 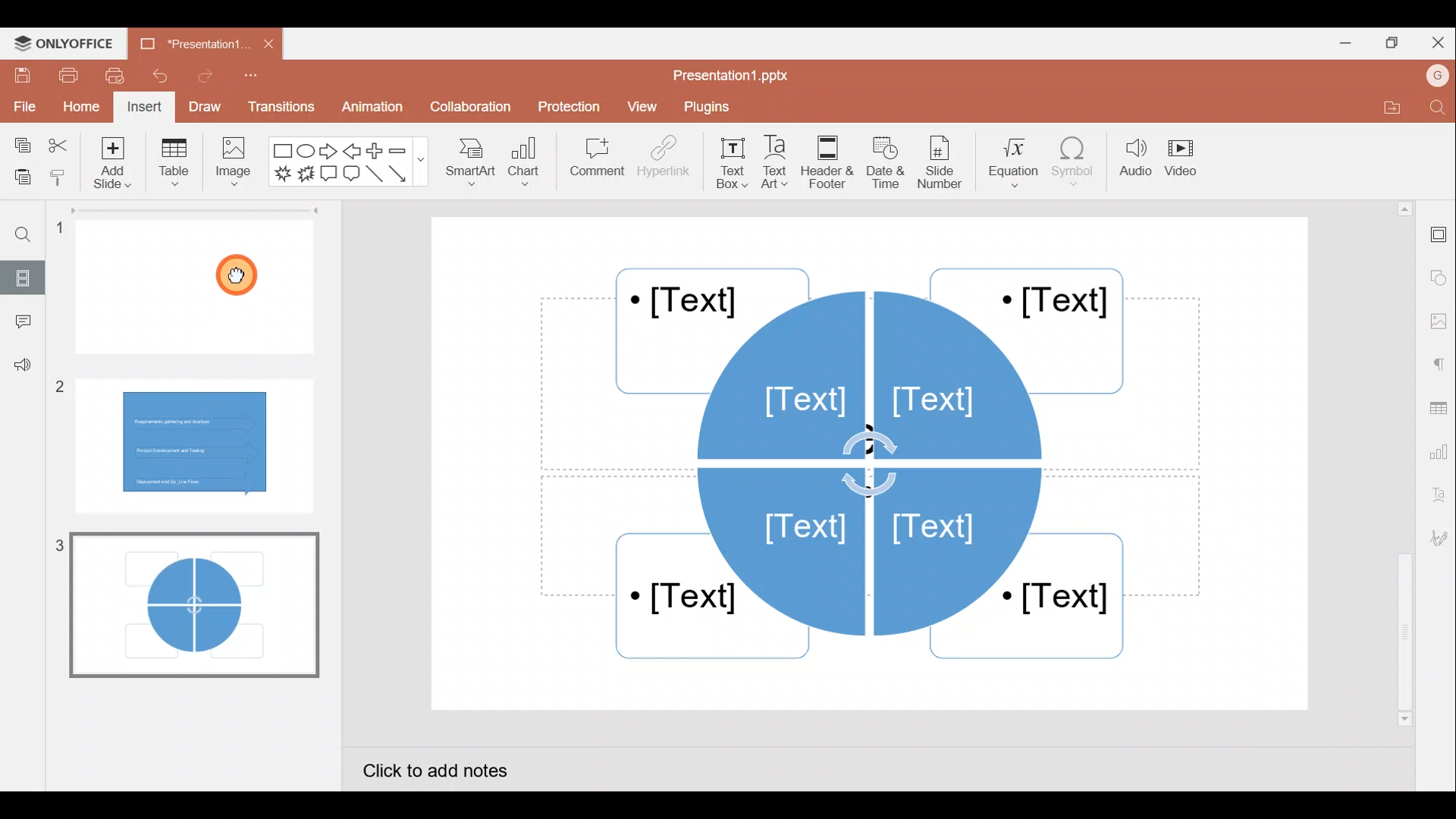 I want to click on Rectangle, so click(x=279, y=151).